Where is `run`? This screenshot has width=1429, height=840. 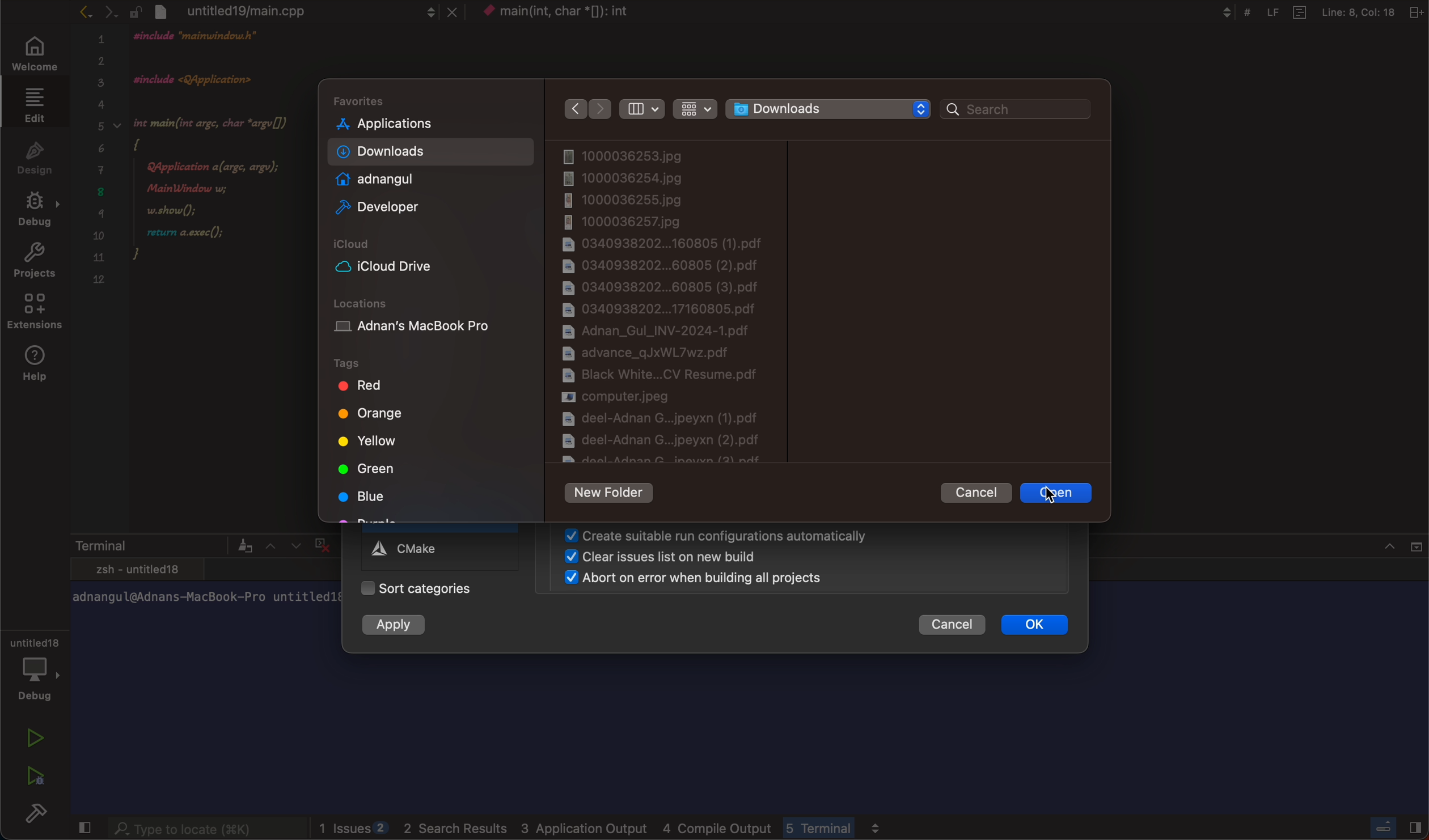 run is located at coordinates (35, 734).